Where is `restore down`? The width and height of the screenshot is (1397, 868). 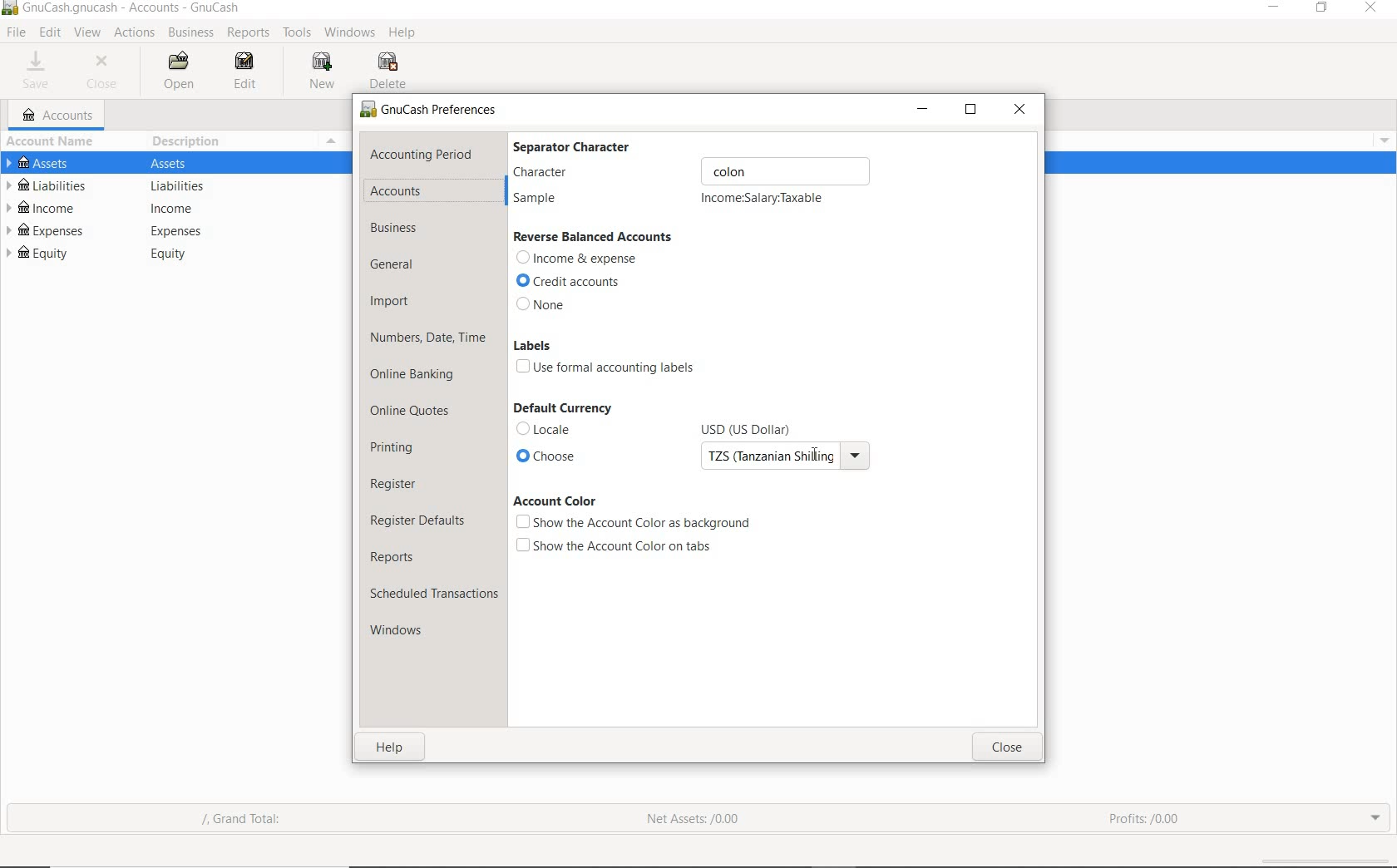
restore down is located at coordinates (971, 111).